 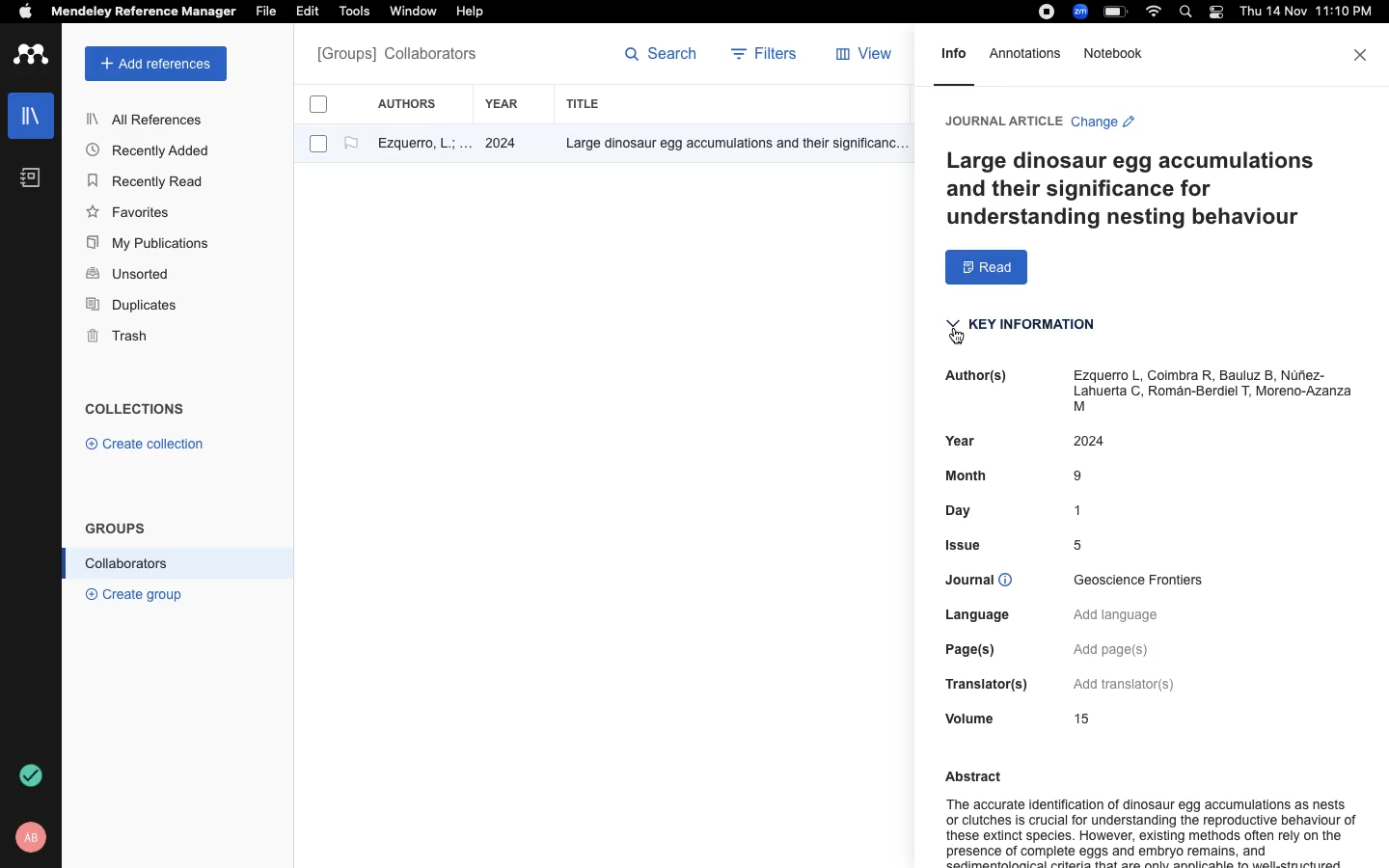 I want to click on read, so click(x=987, y=268).